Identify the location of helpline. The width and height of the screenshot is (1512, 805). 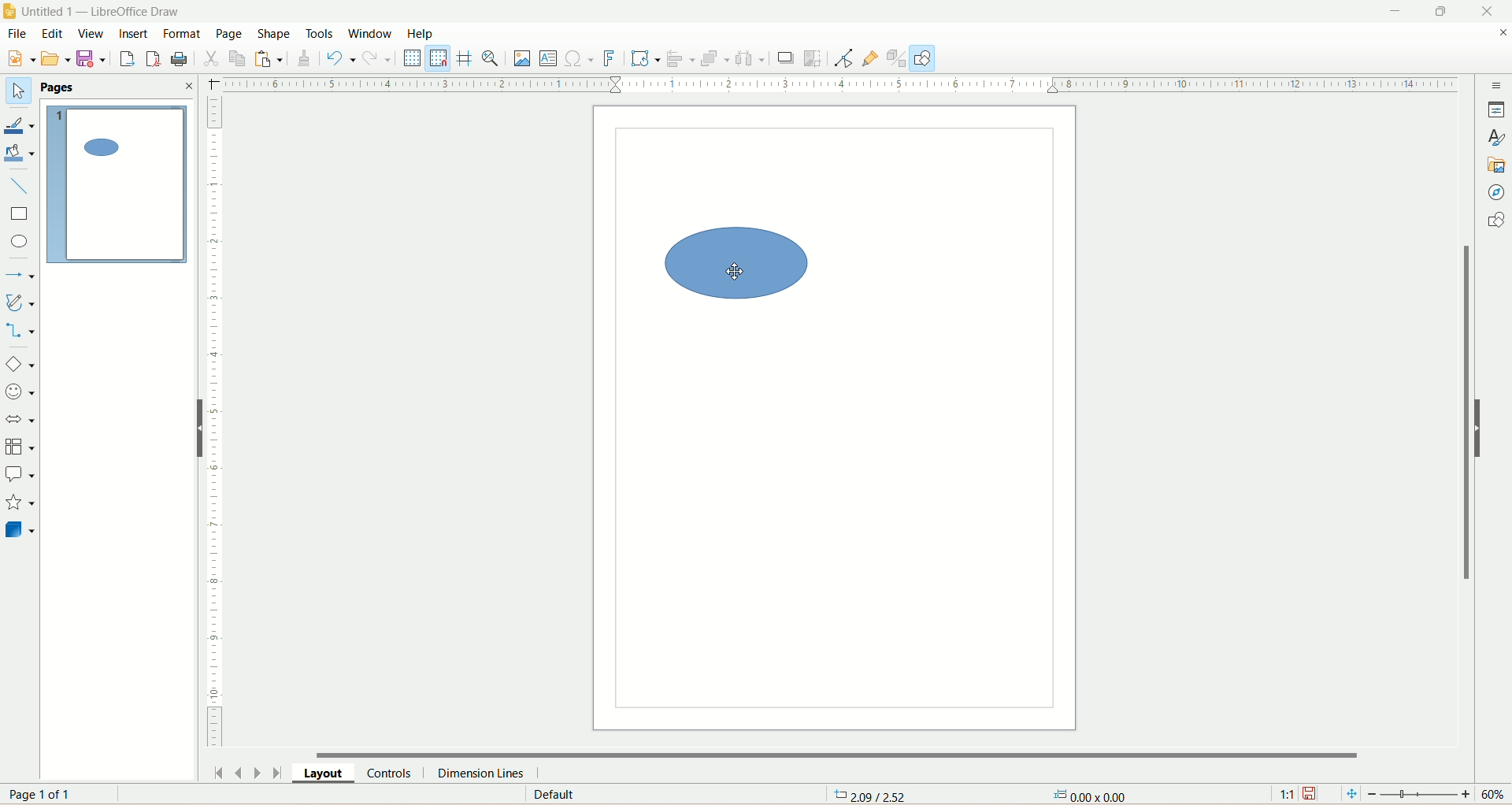
(465, 60).